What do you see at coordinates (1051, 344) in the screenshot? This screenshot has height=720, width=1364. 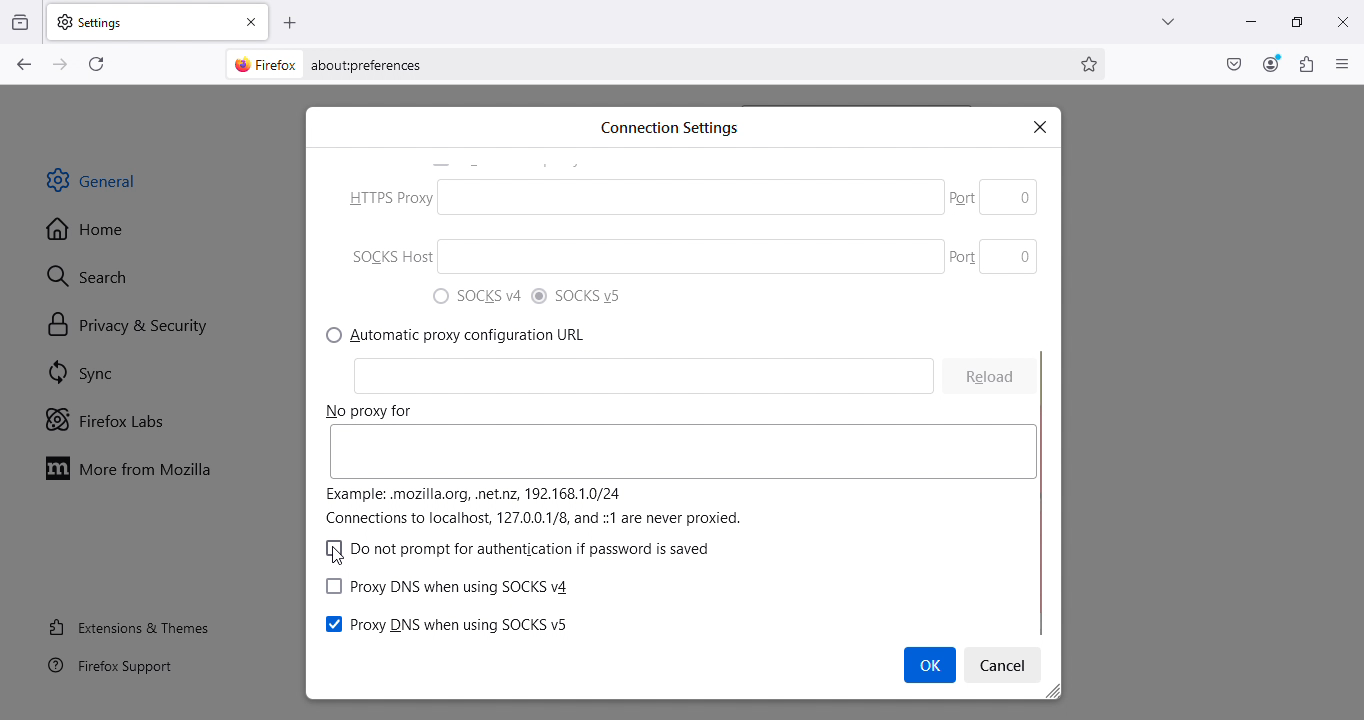 I see `scroll bar` at bounding box center [1051, 344].